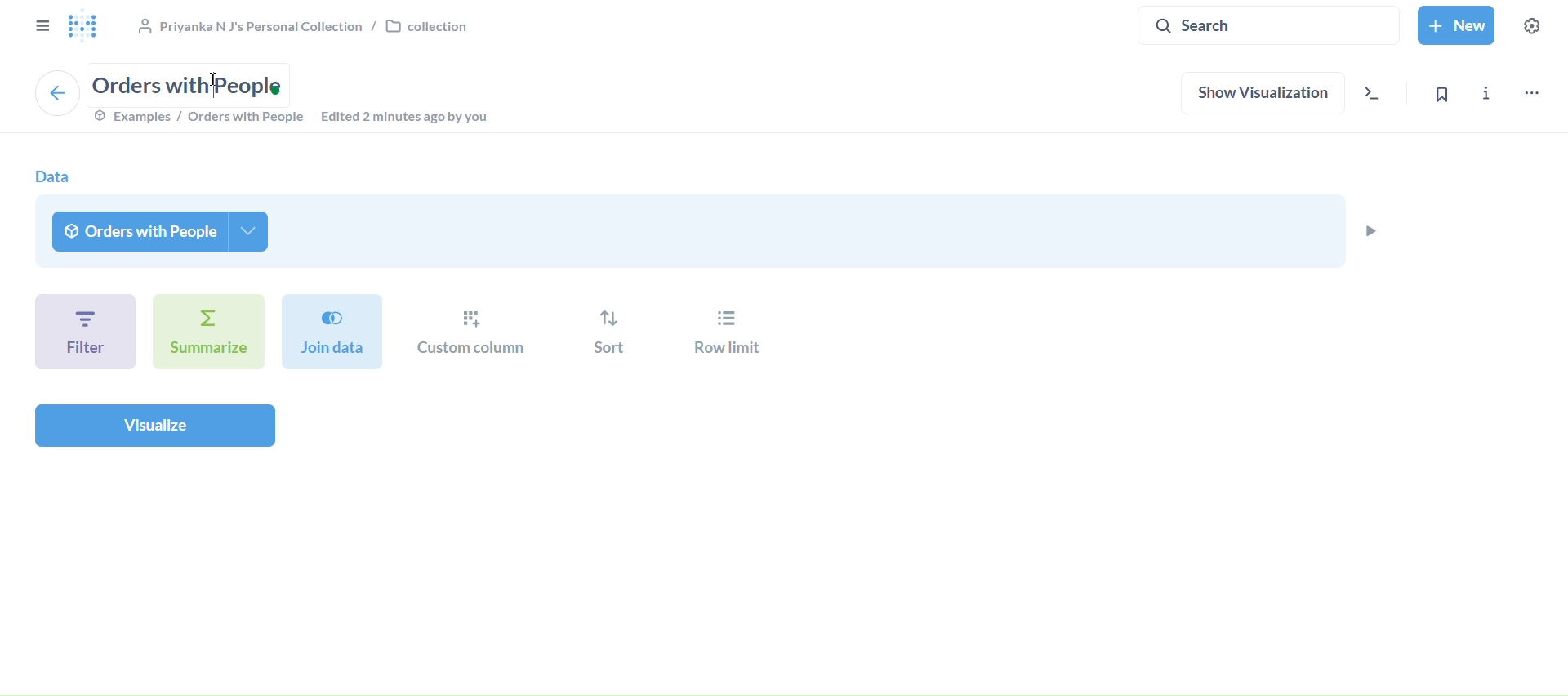 This screenshot has width=1568, height=696. Describe the element at coordinates (412, 118) in the screenshot. I see `edited 2 minutes ago` at that location.